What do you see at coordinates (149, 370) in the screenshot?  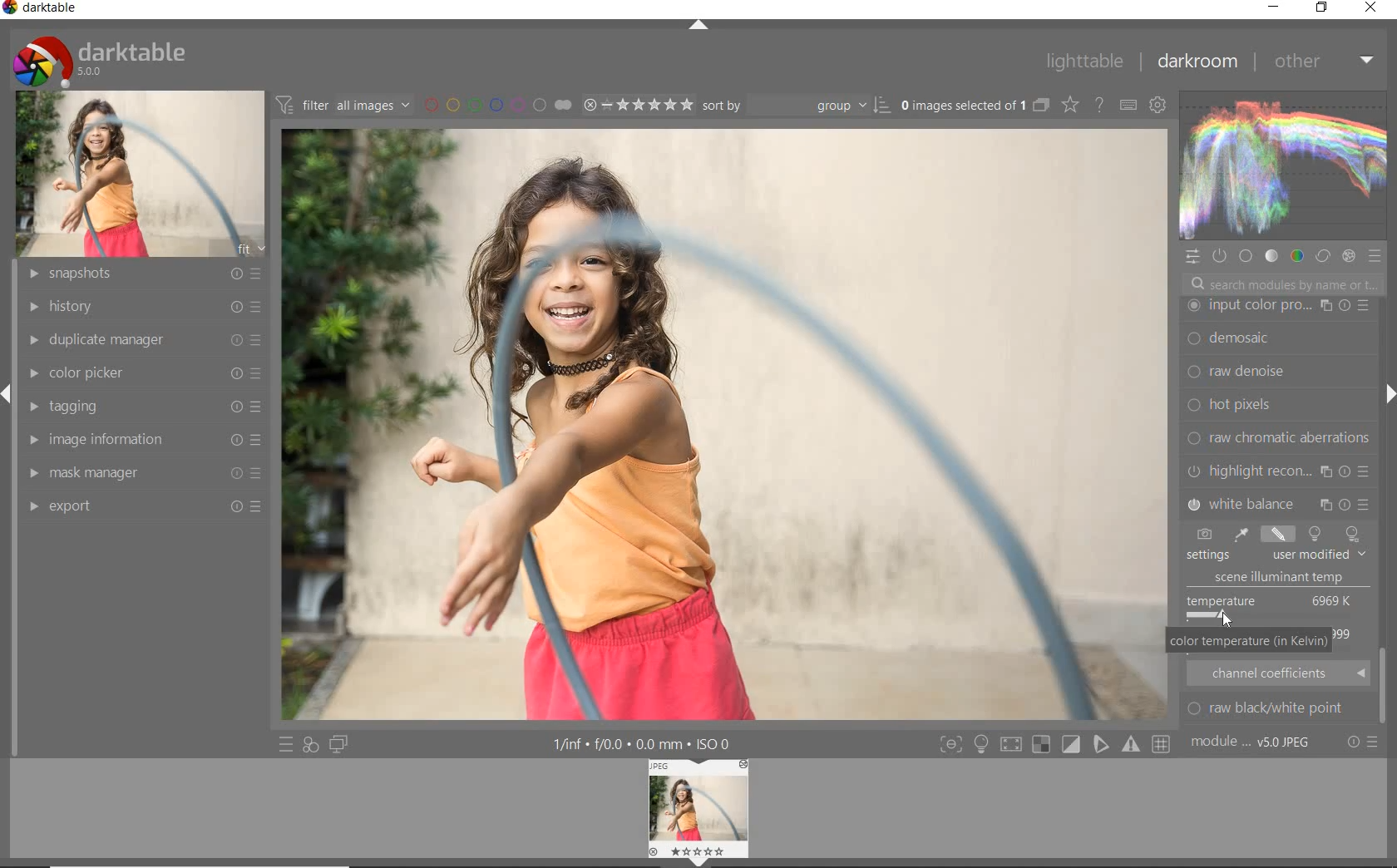 I see `color picker` at bounding box center [149, 370].